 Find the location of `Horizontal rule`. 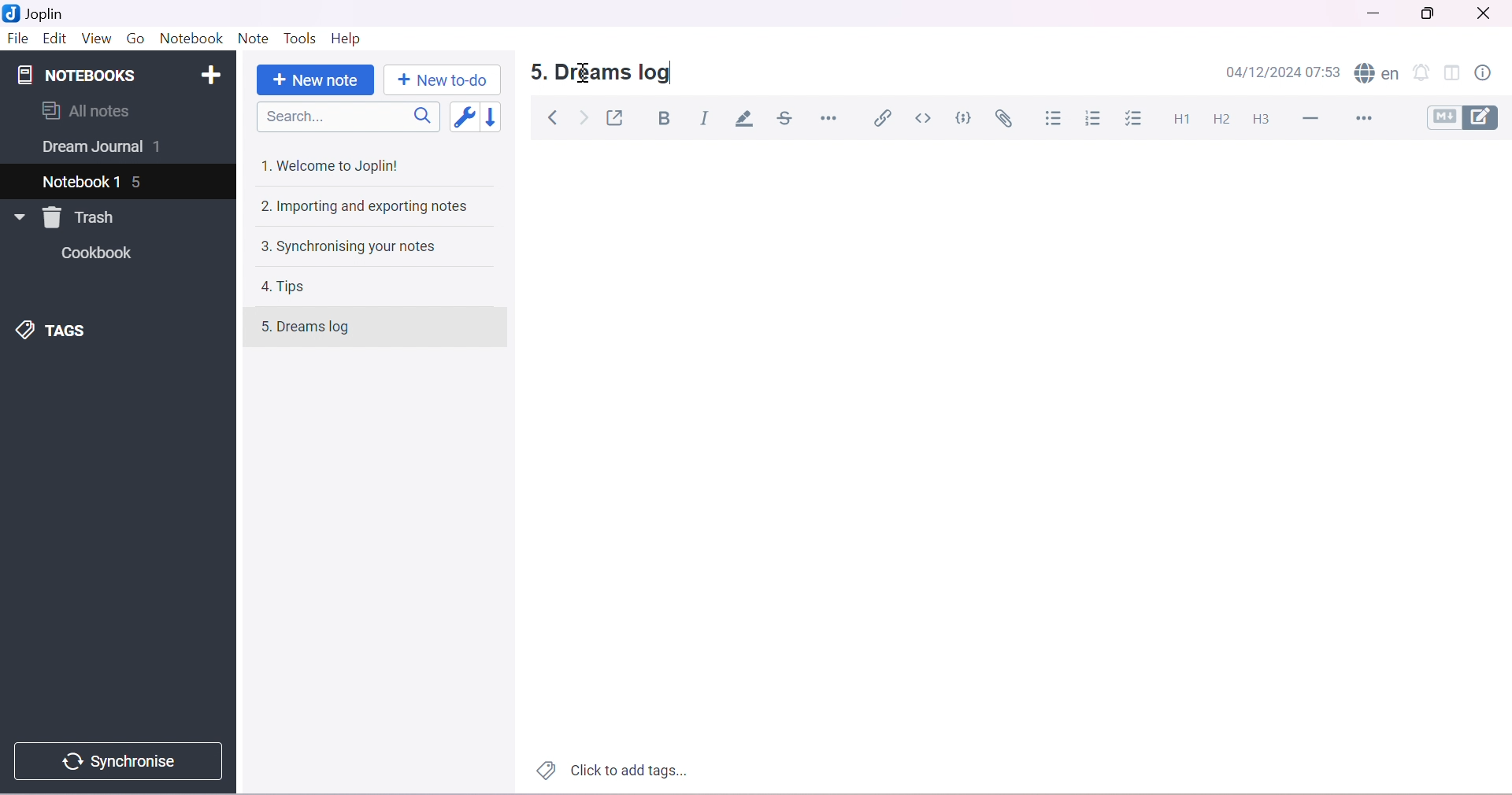

Horizontal rule is located at coordinates (828, 117).